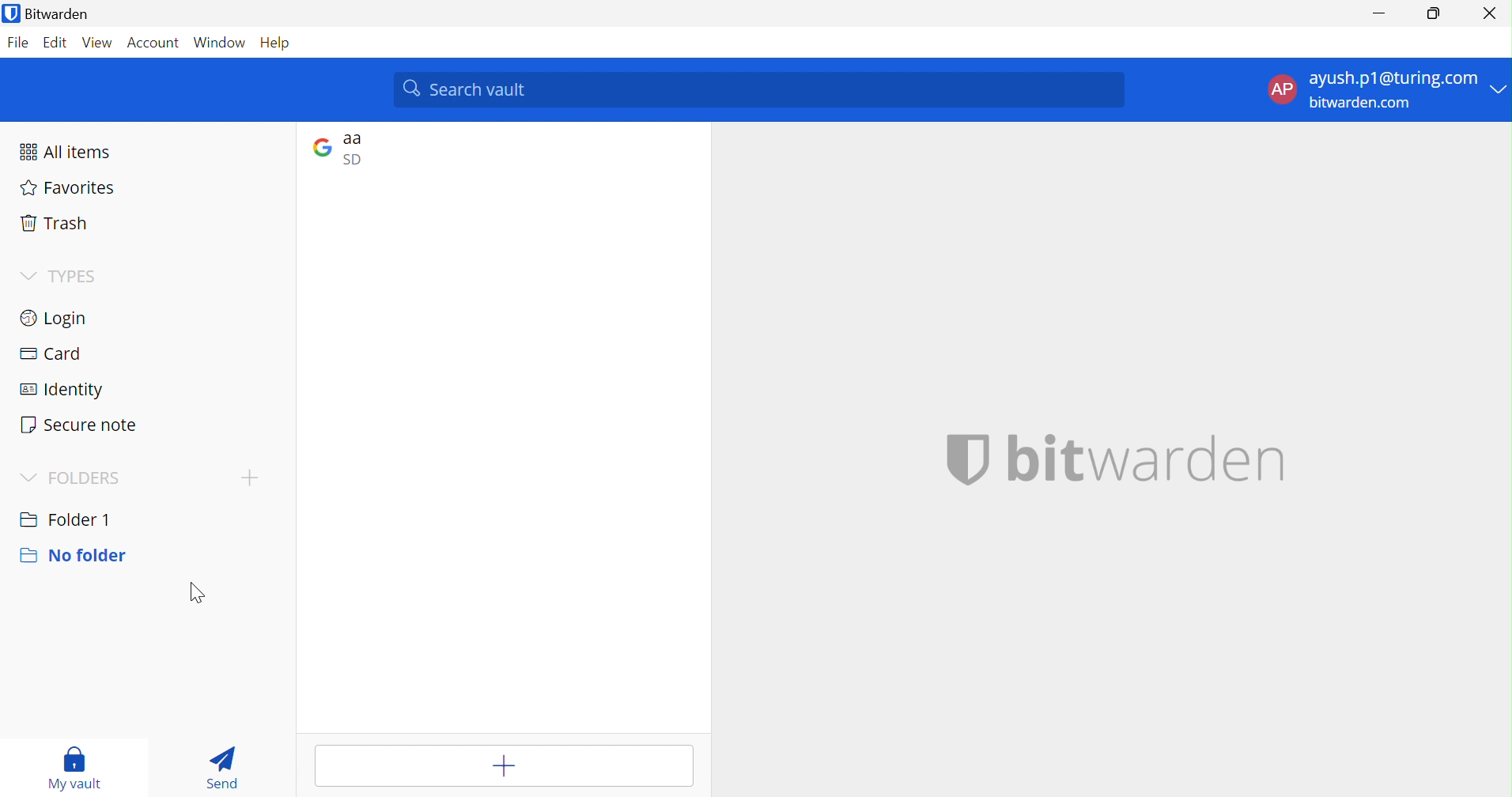  I want to click on My vault, so click(78, 768).